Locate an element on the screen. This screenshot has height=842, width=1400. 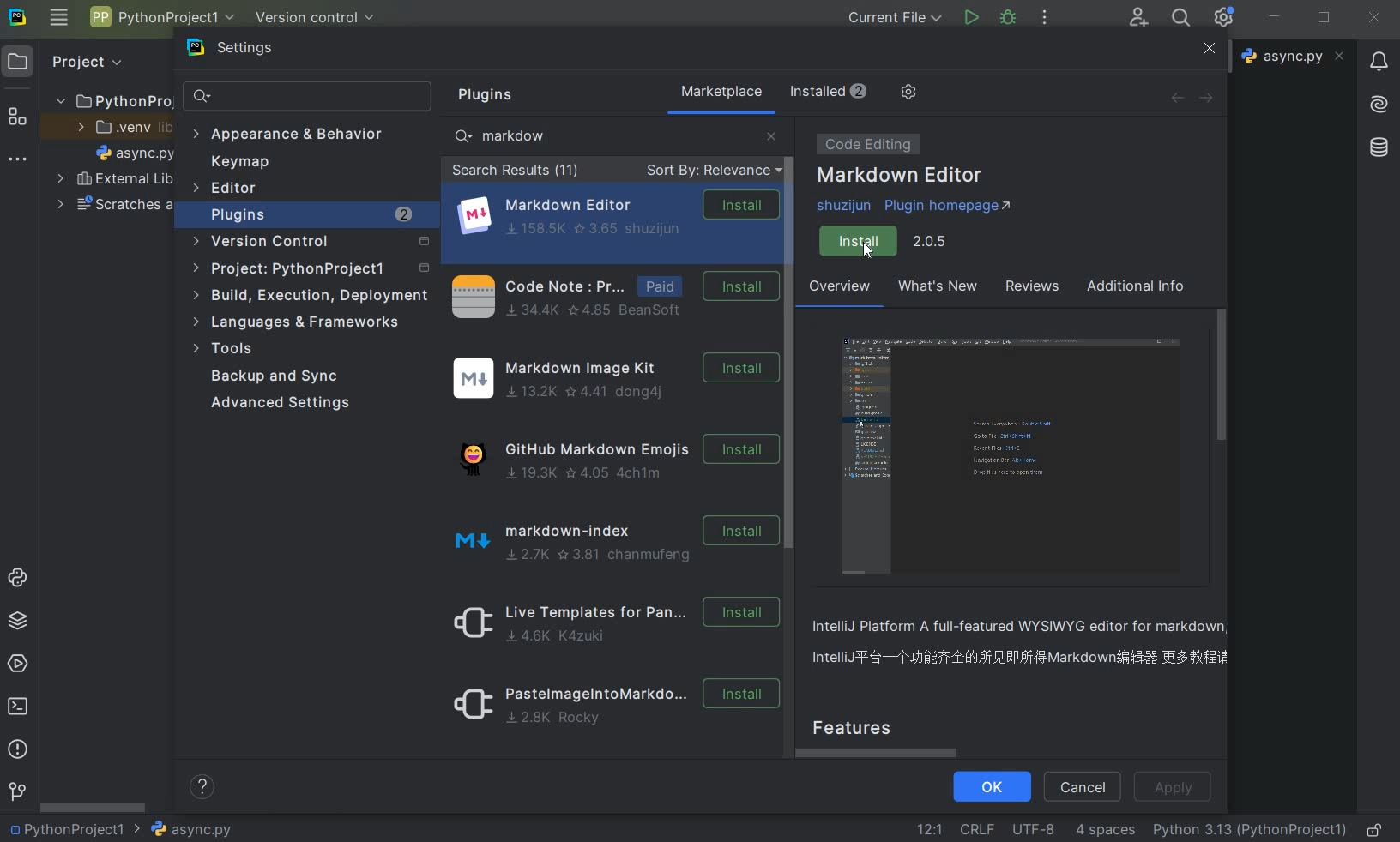
.venv is located at coordinates (118, 127).